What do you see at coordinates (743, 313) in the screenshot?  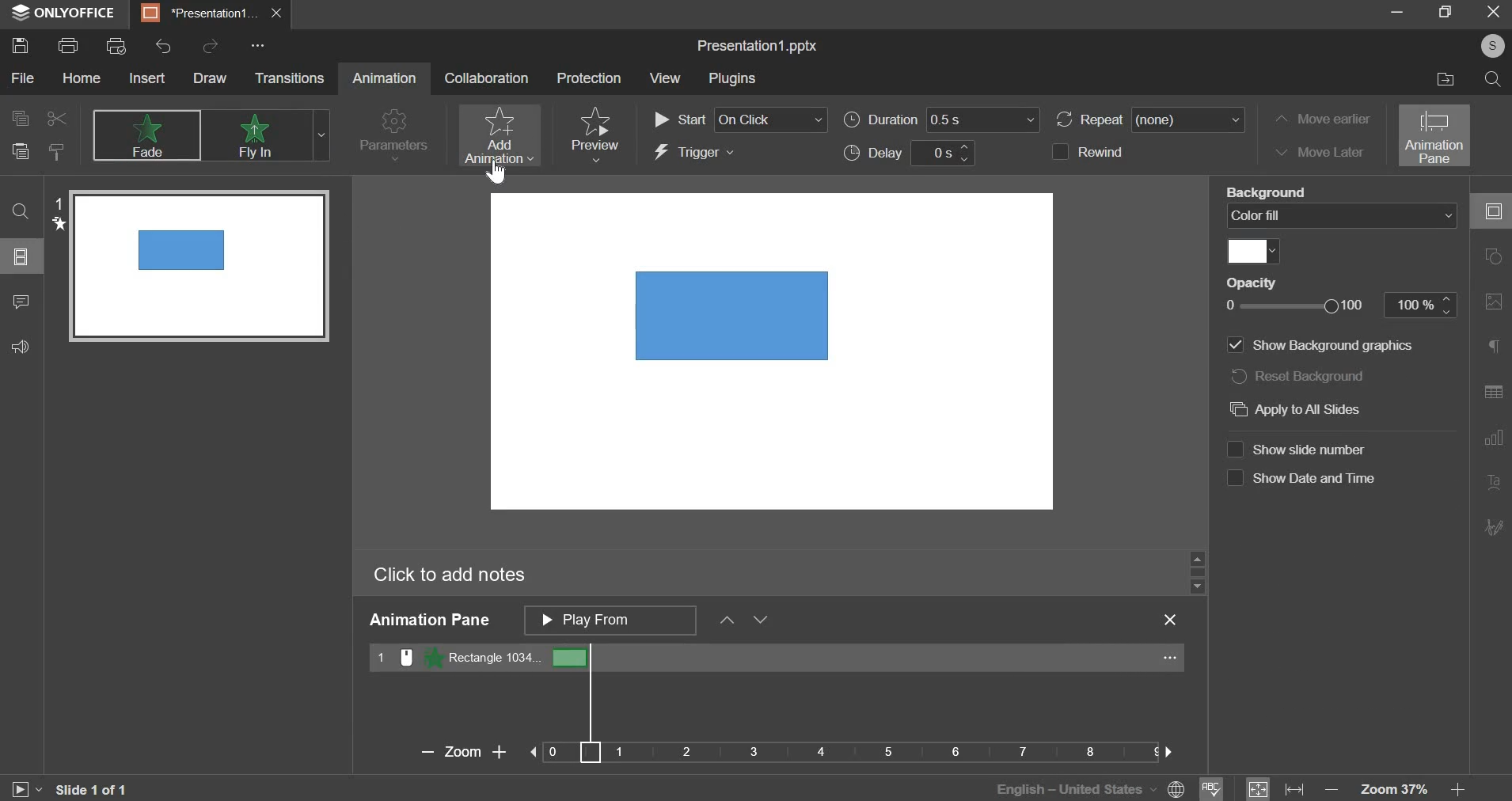 I see `Shape` at bounding box center [743, 313].